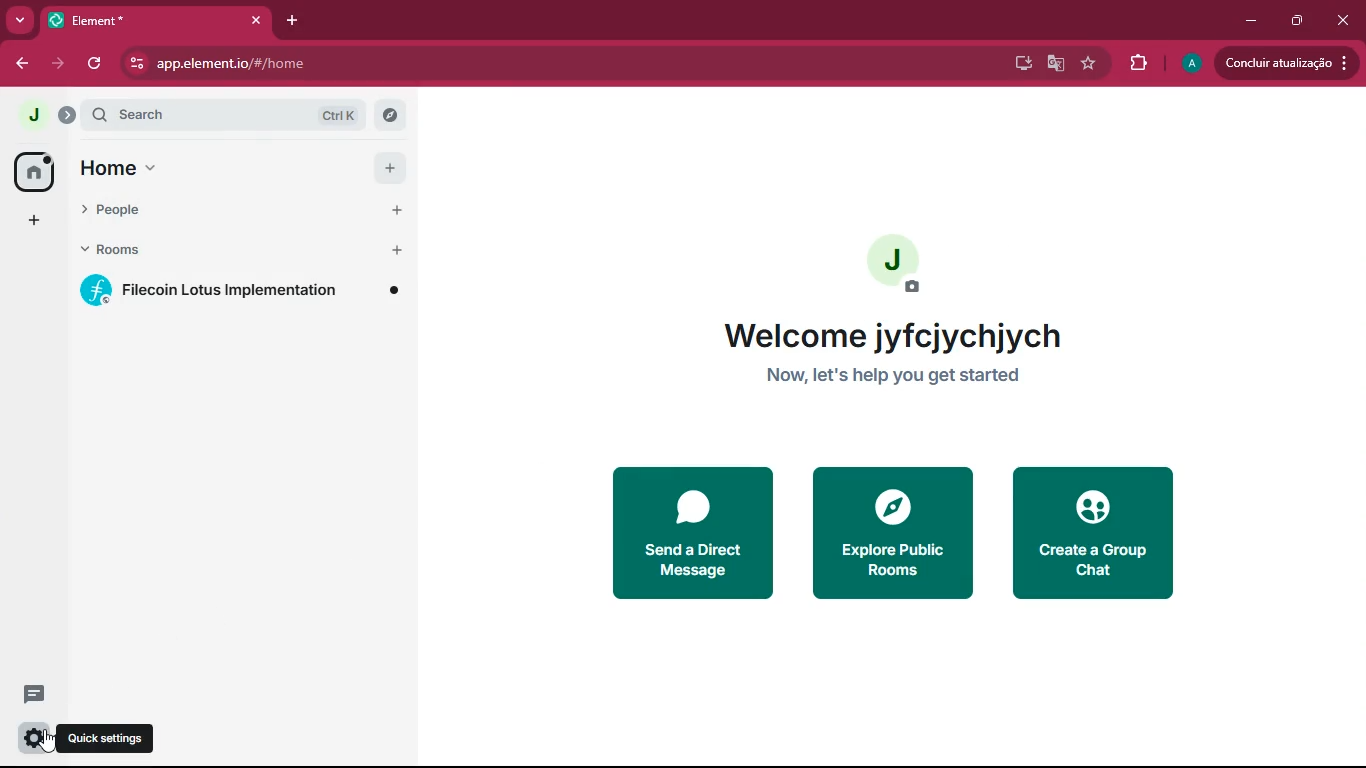  What do you see at coordinates (220, 250) in the screenshot?
I see `rooms` at bounding box center [220, 250].